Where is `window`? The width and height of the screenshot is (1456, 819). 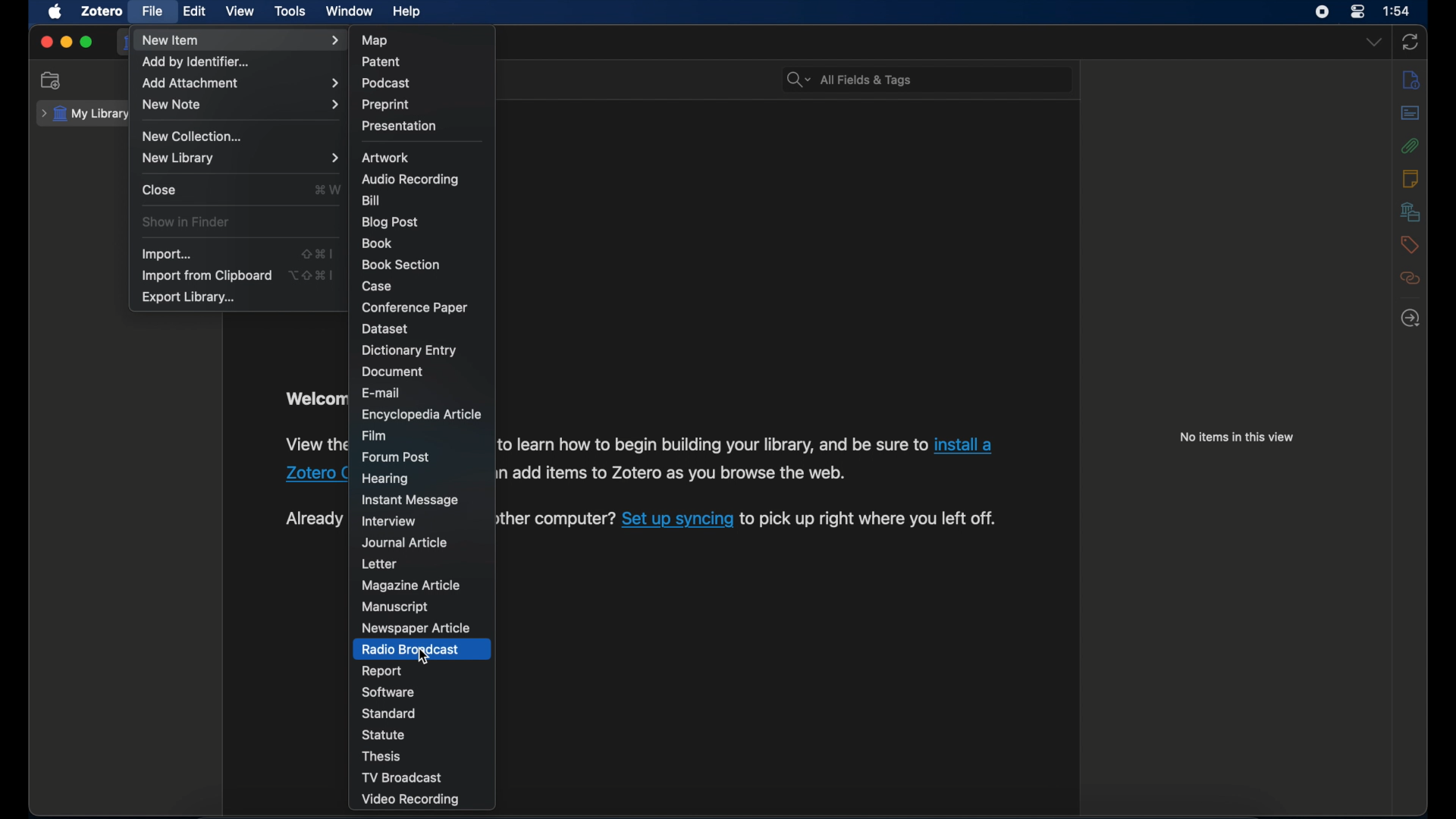 window is located at coordinates (350, 11).